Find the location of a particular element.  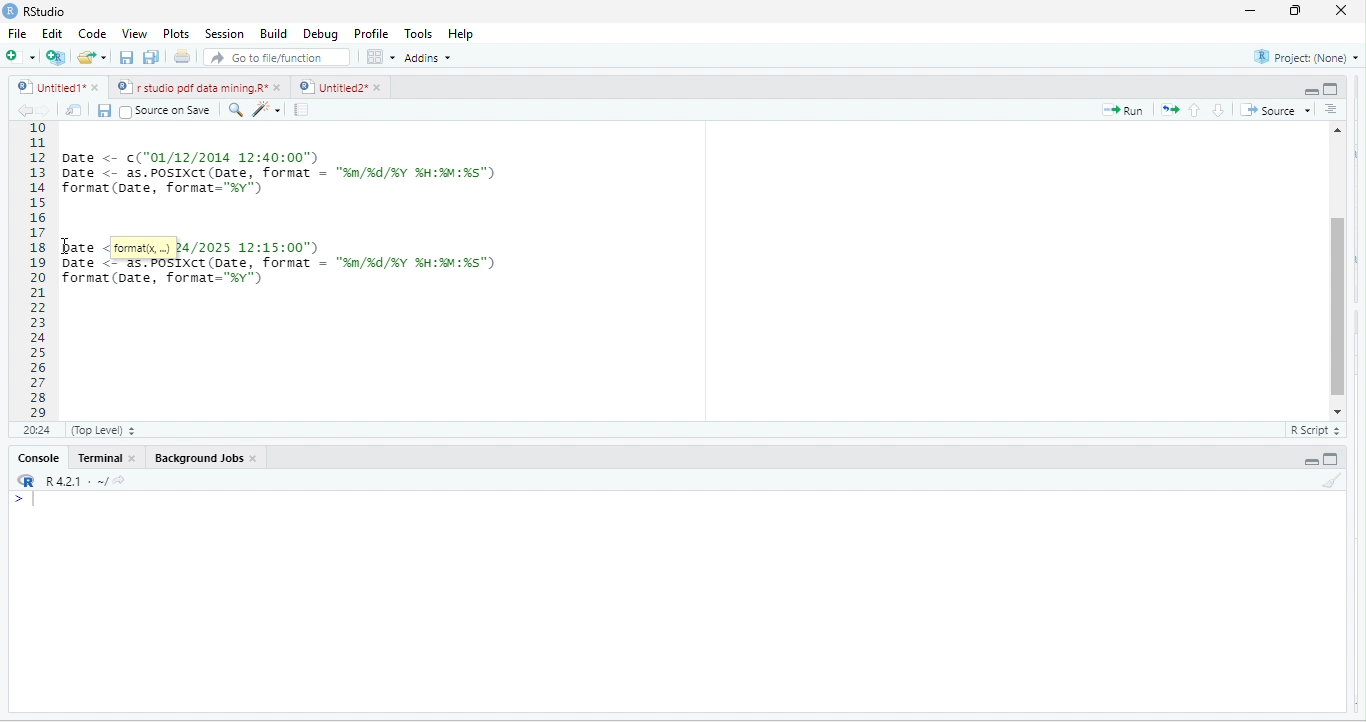

option is located at coordinates (379, 56).